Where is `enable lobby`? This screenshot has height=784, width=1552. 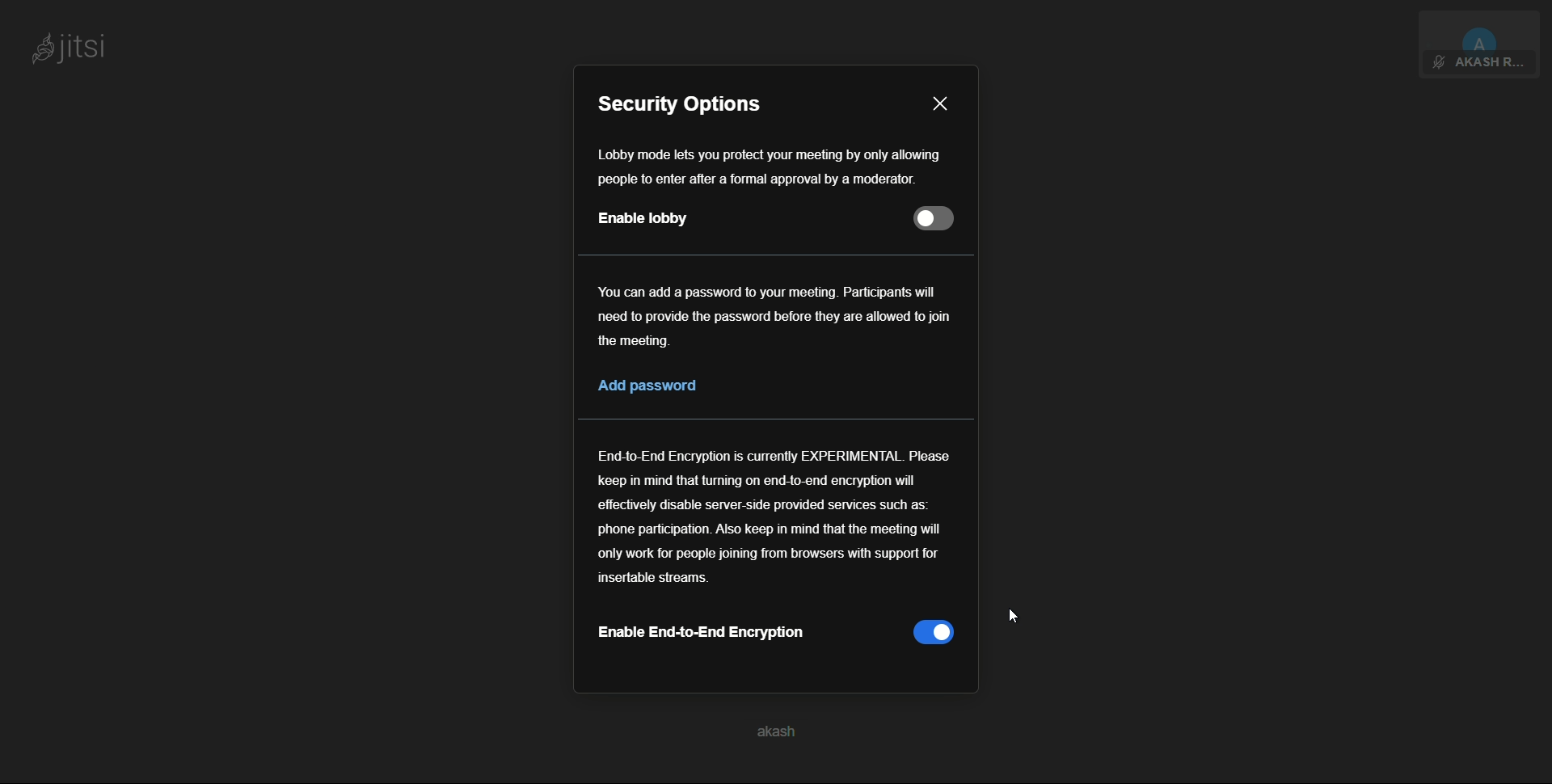
enable lobby is located at coordinates (643, 219).